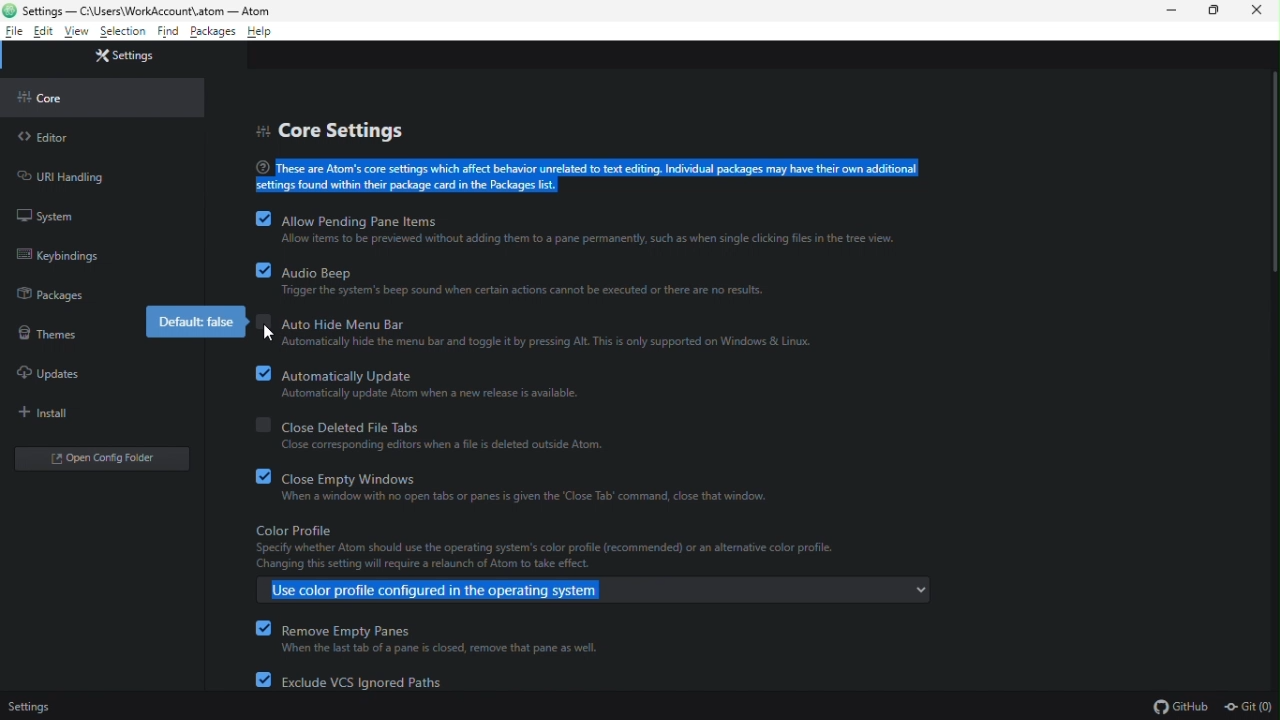 The height and width of the screenshot is (720, 1280). I want to click on packages, so click(52, 296).